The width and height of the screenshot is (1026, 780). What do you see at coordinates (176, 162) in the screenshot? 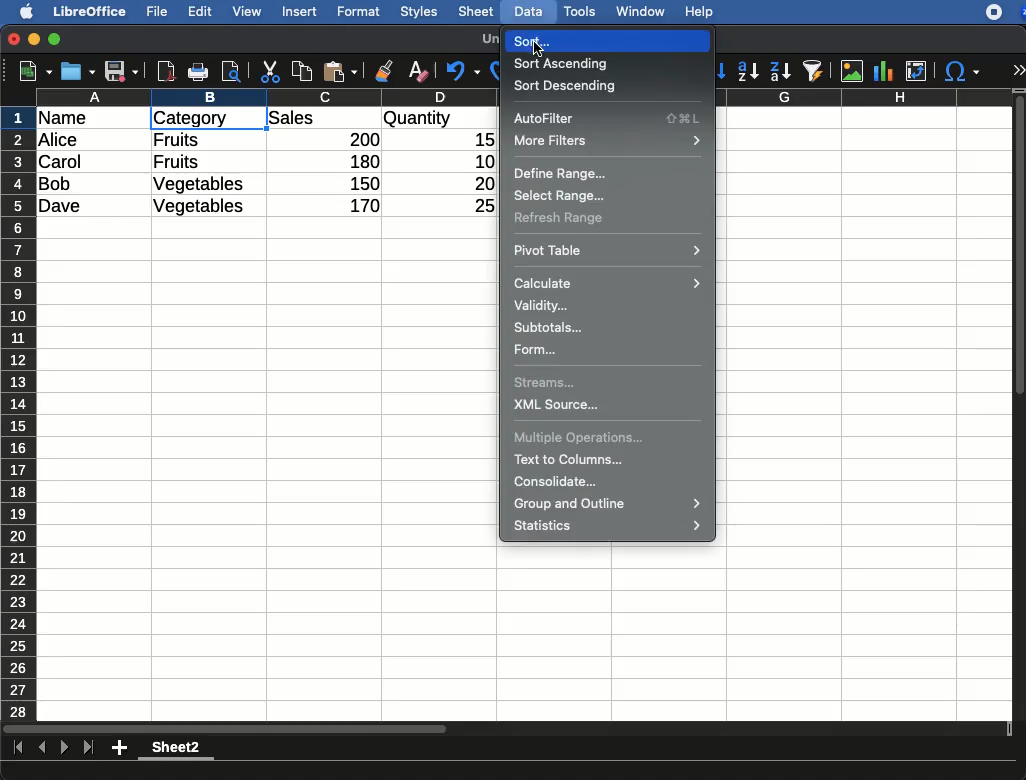
I see `Fruits` at bounding box center [176, 162].